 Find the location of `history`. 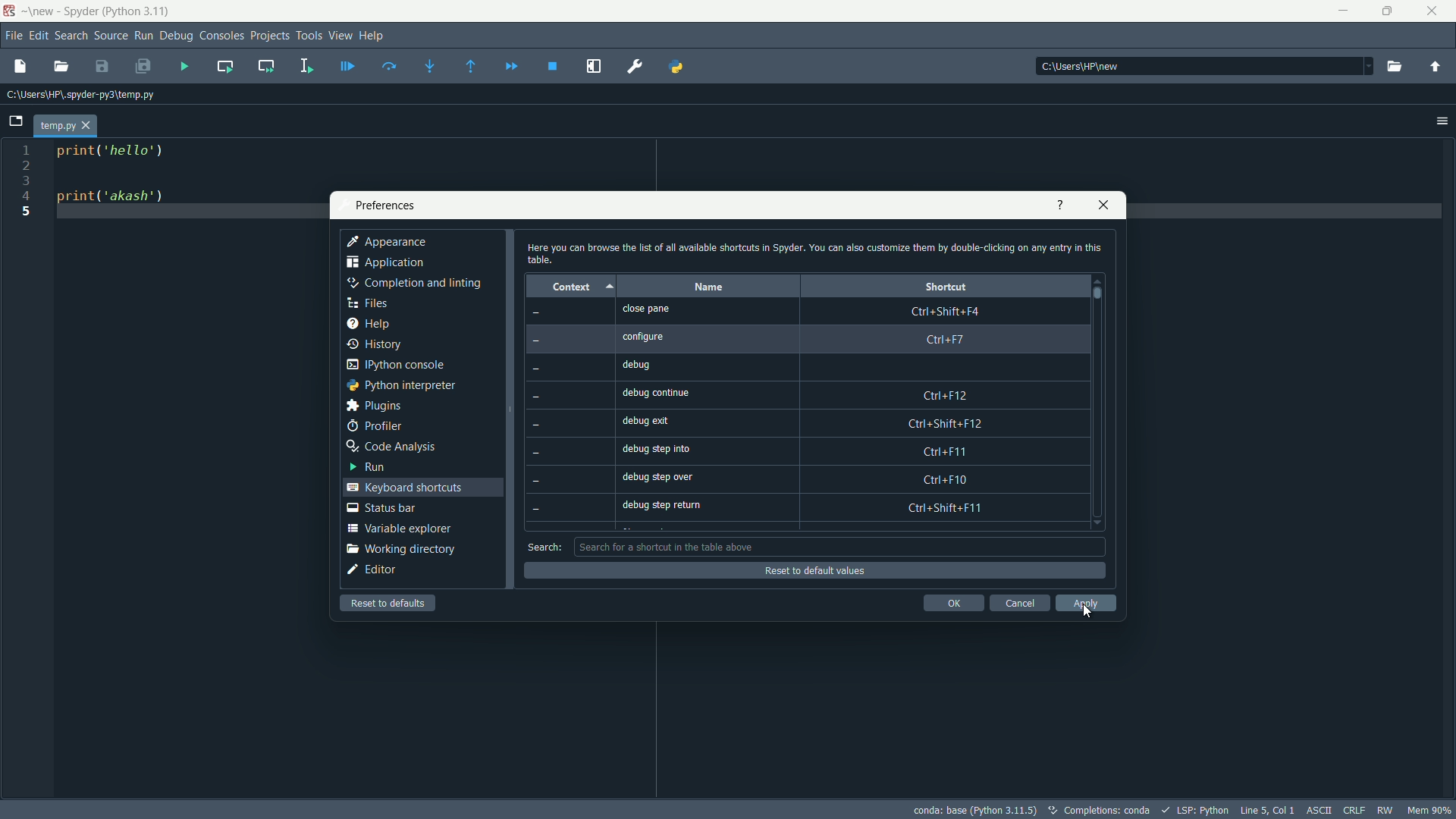

history is located at coordinates (375, 344).